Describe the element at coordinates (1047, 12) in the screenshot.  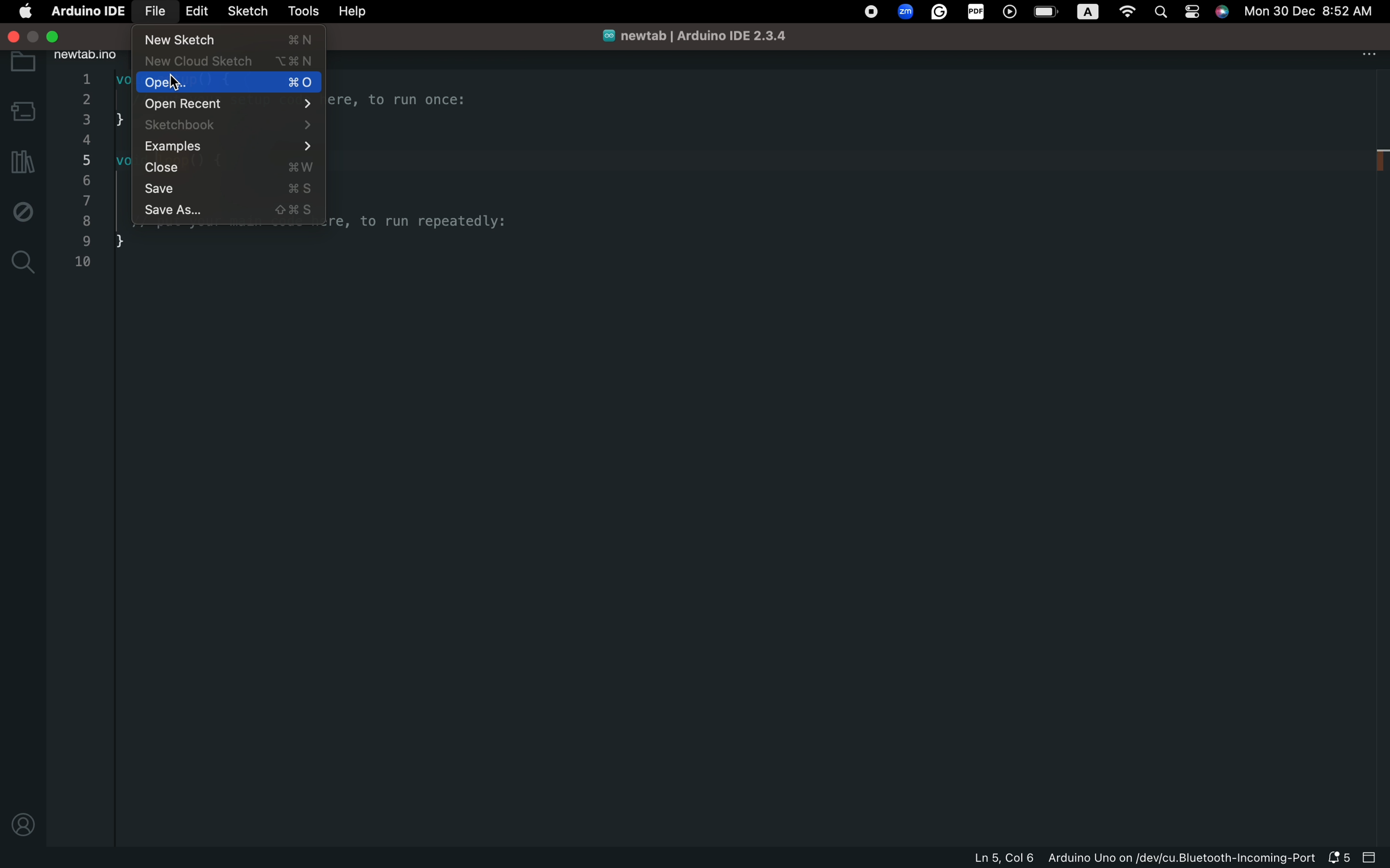
I see `battery` at that location.